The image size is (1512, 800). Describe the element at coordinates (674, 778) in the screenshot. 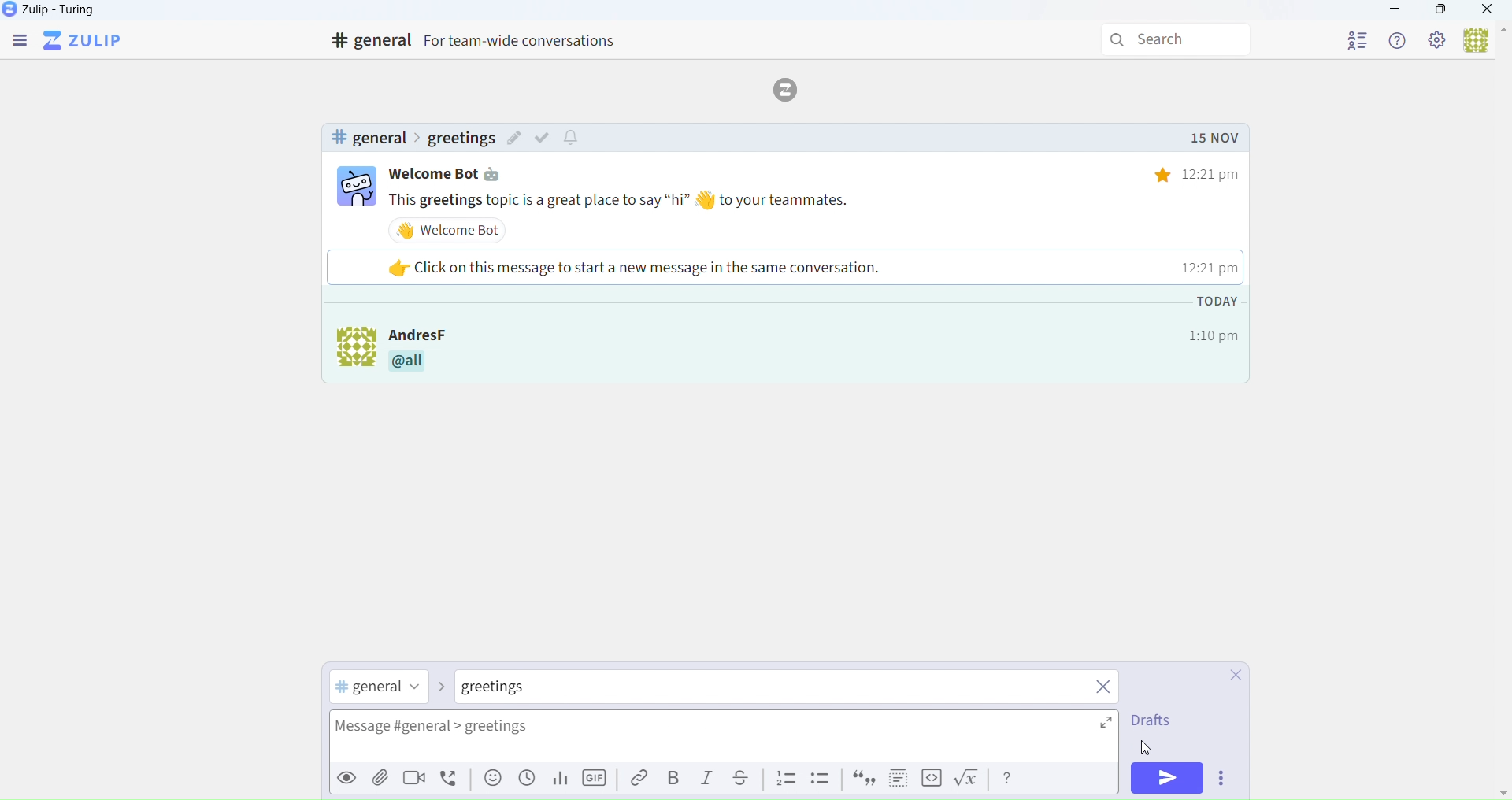

I see `bold` at that location.